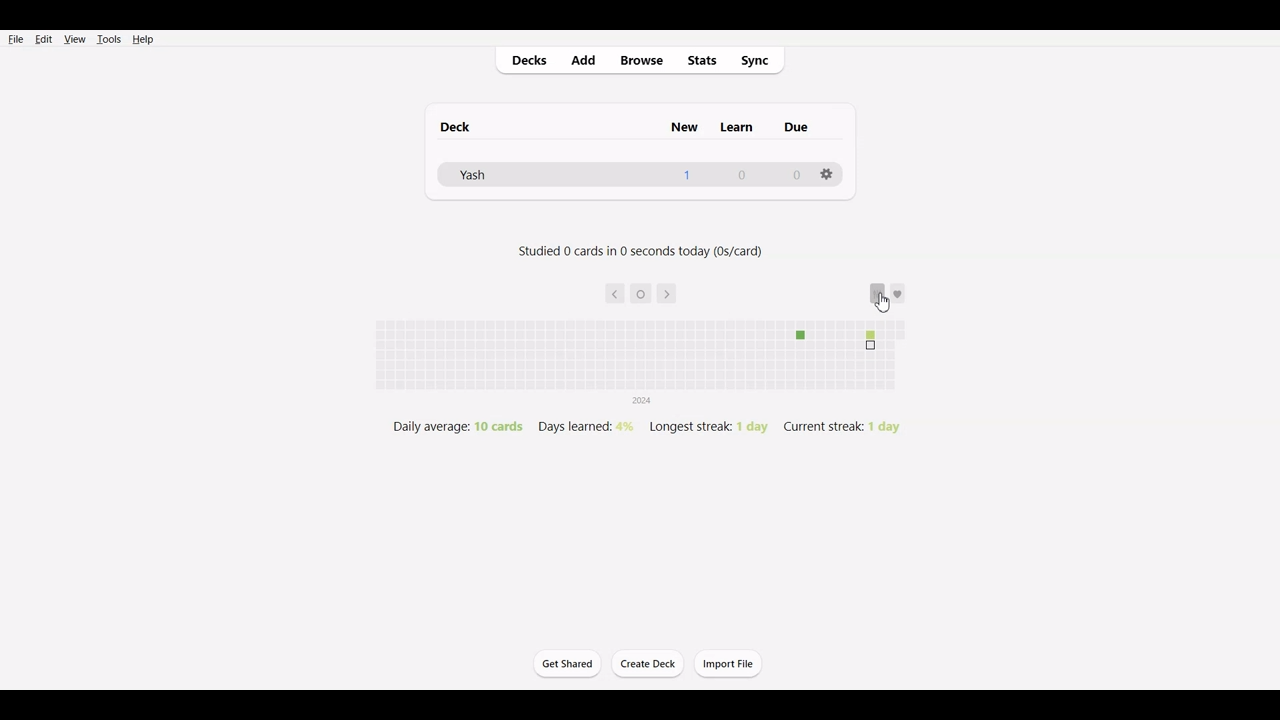 The height and width of the screenshot is (720, 1280). What do you see at coordinates (831, 174) in the screenshot?
I see `settings` at bounding box center [831, 174].